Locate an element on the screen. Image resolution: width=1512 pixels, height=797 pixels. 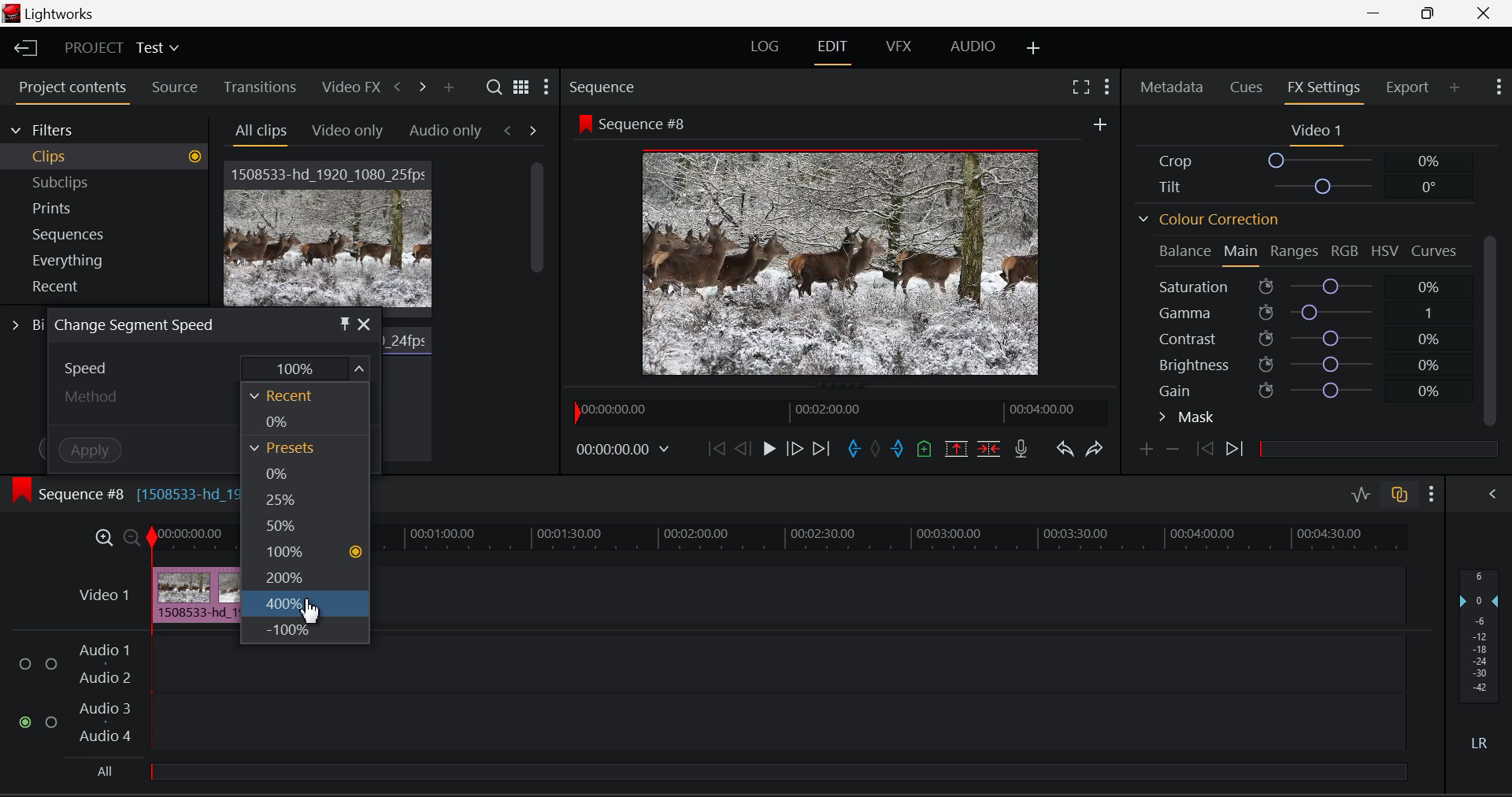
[1508533-hd_1920_108 is located at coordinates (187, 495).